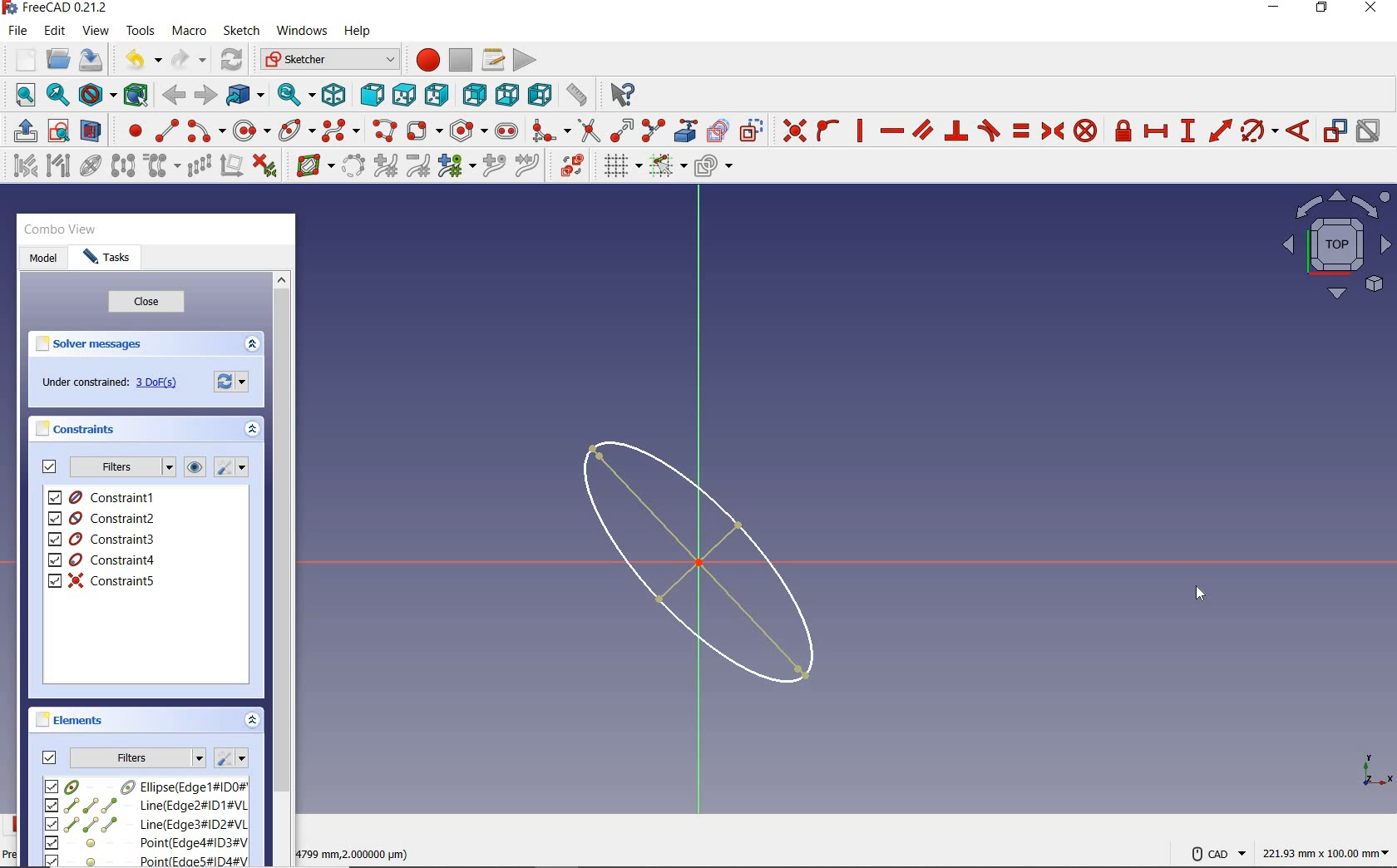  I want to click on switch between workbenches, so click(329, 60).